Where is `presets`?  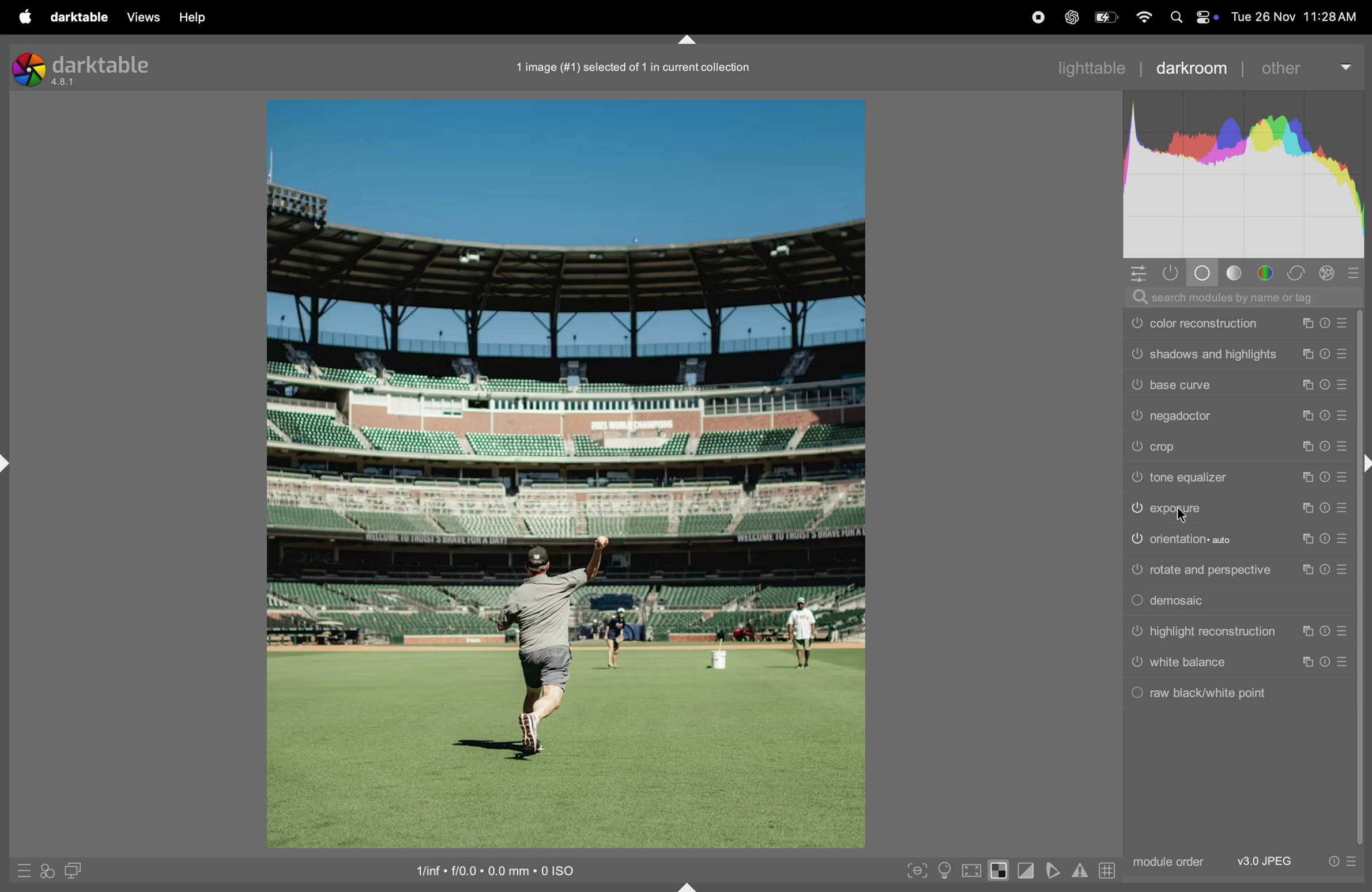
presets is located at coordinates (1354, 861).